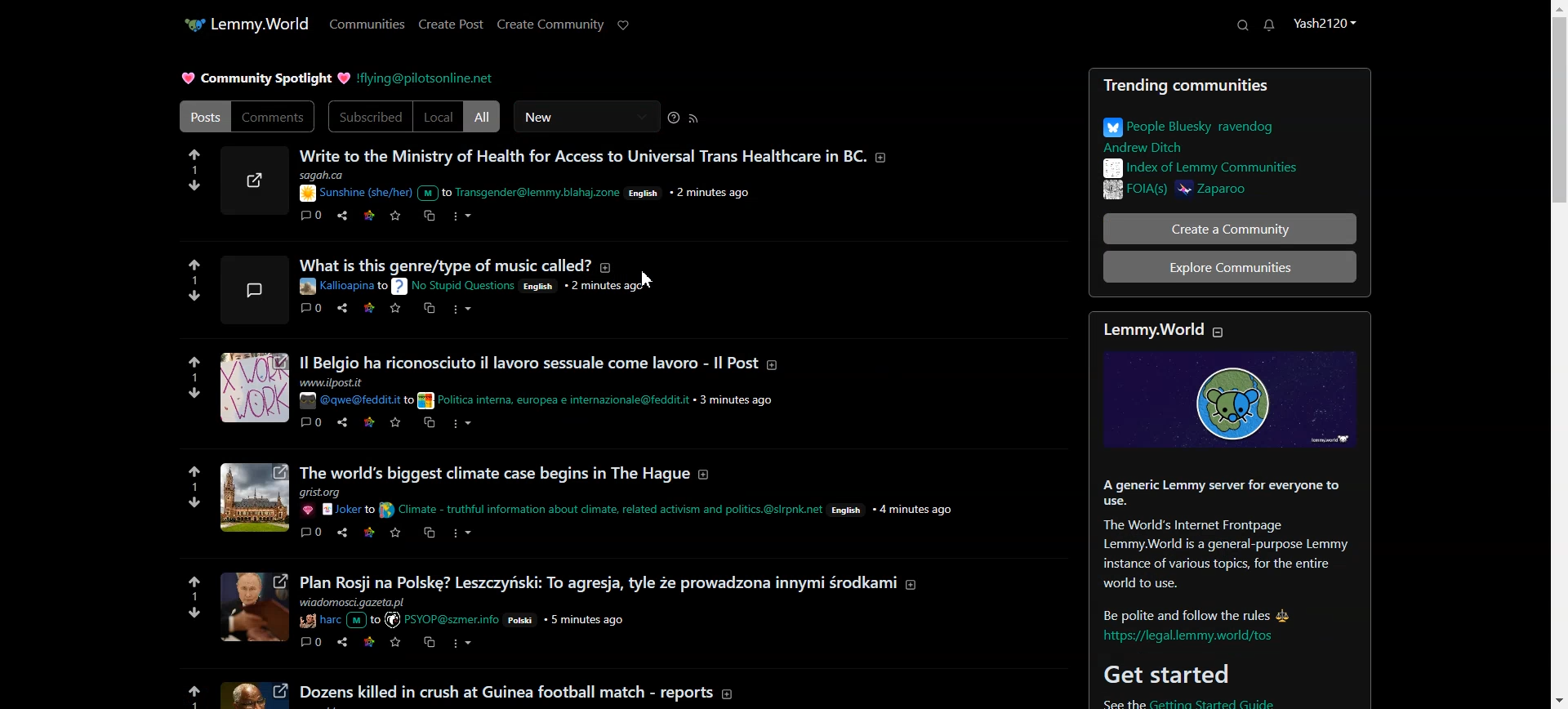 Image resolution: width=1568 pixels, height=709 pixels. What do you see at coordinates (442, 621) in the screenshot?
I see `text` at bounding box center [442, 621].